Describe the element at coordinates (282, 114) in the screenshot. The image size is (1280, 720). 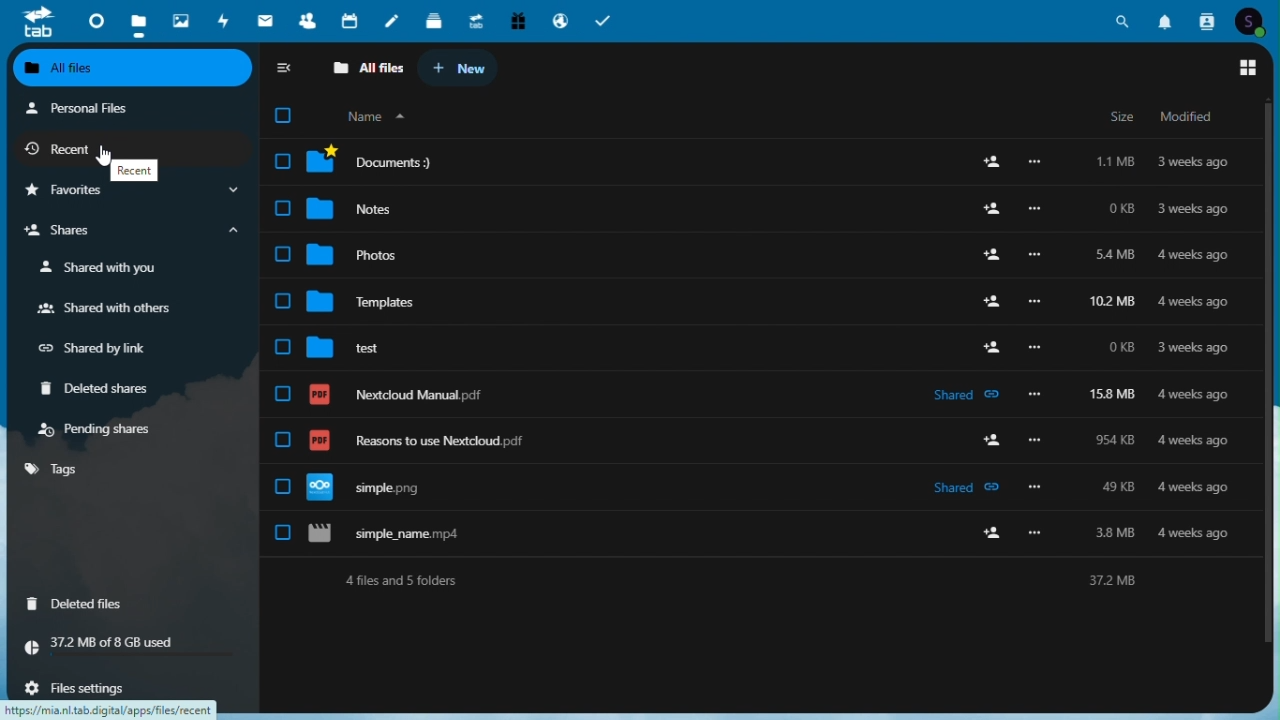
I see `Checkbox` at that location.